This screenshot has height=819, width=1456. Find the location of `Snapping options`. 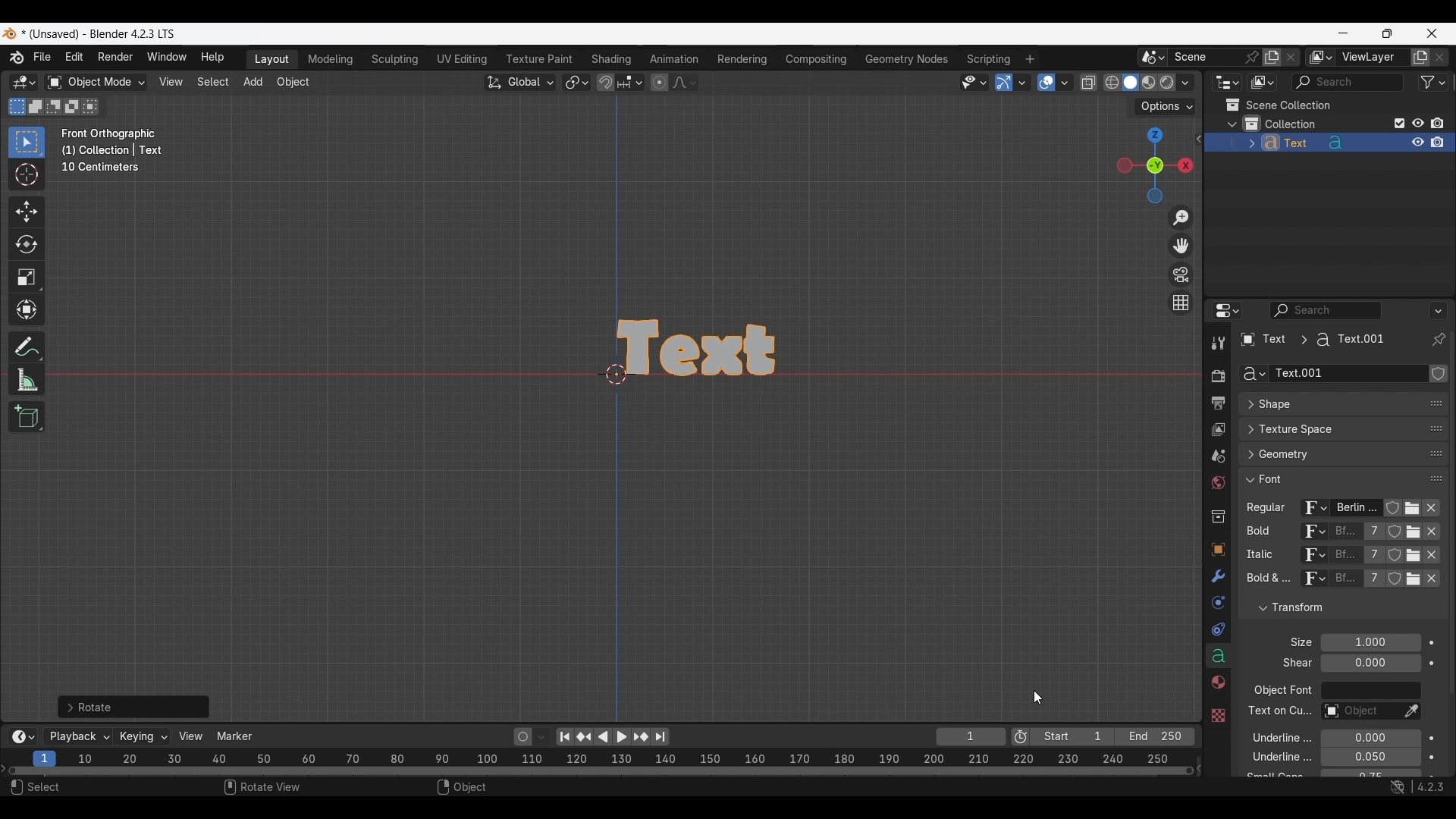

Snapping options is located at coordinates (632, 82).